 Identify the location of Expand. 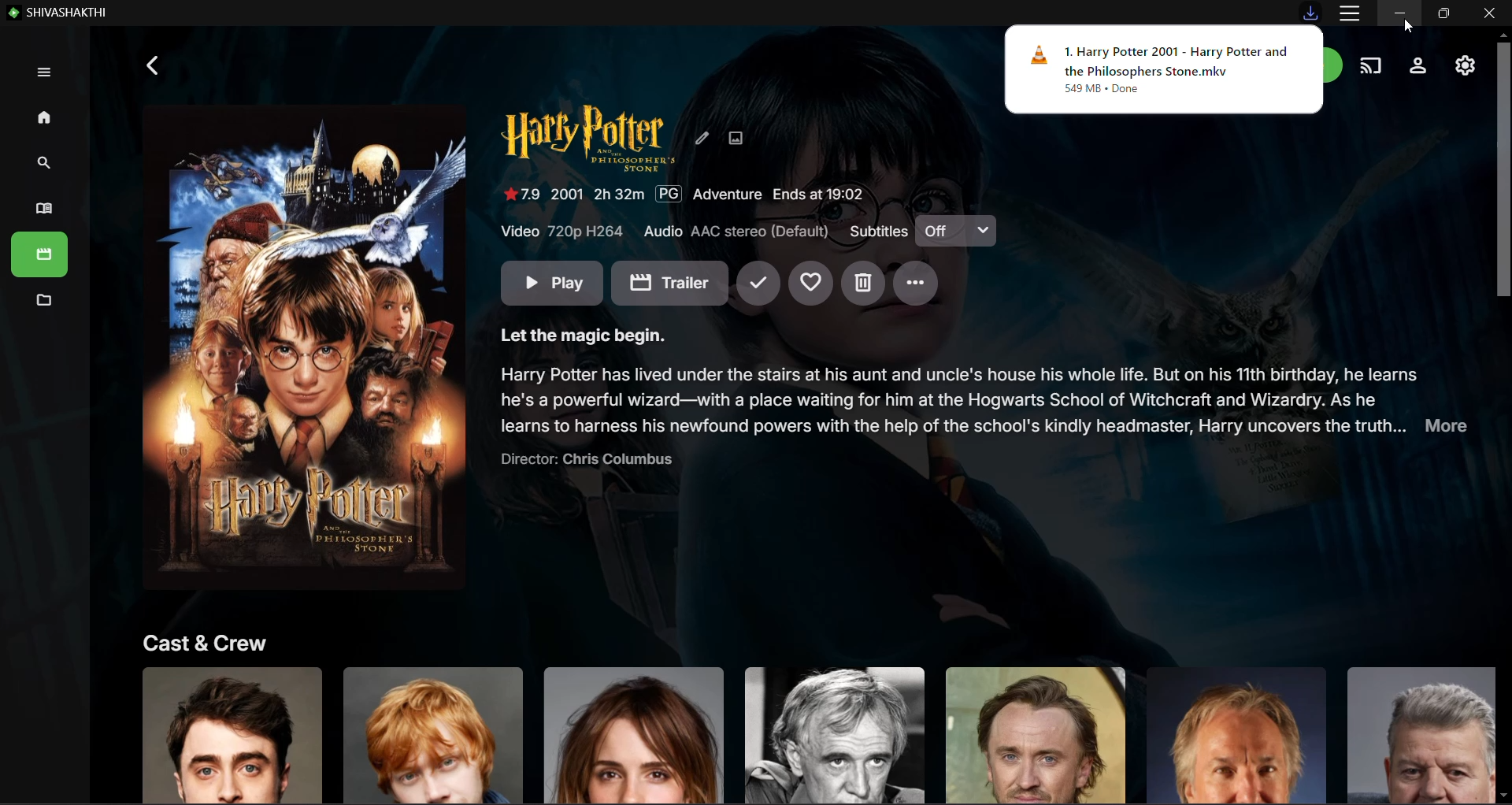
(44, 72).